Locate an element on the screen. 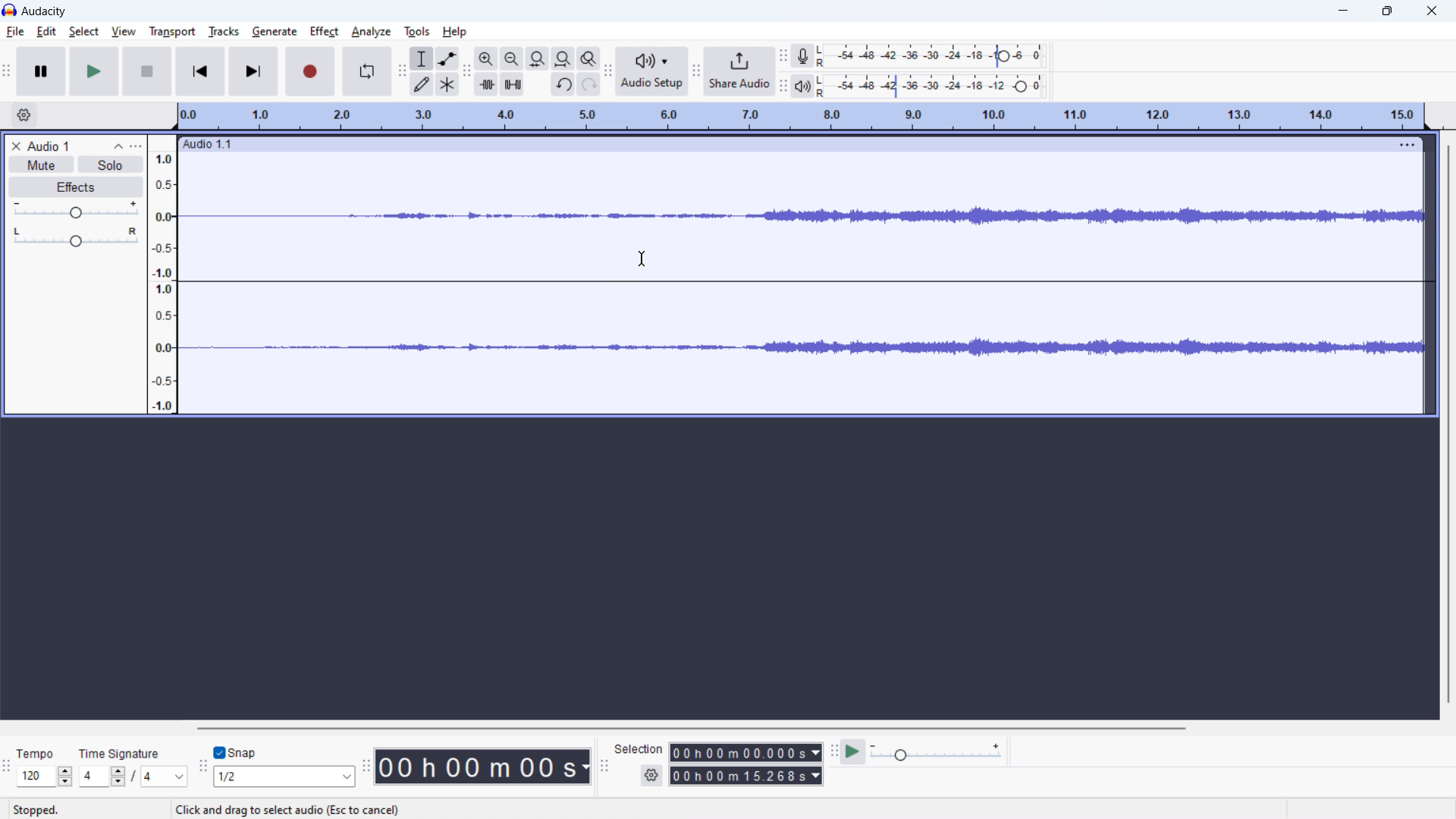  hold to move is located at coordinates (785, 145).